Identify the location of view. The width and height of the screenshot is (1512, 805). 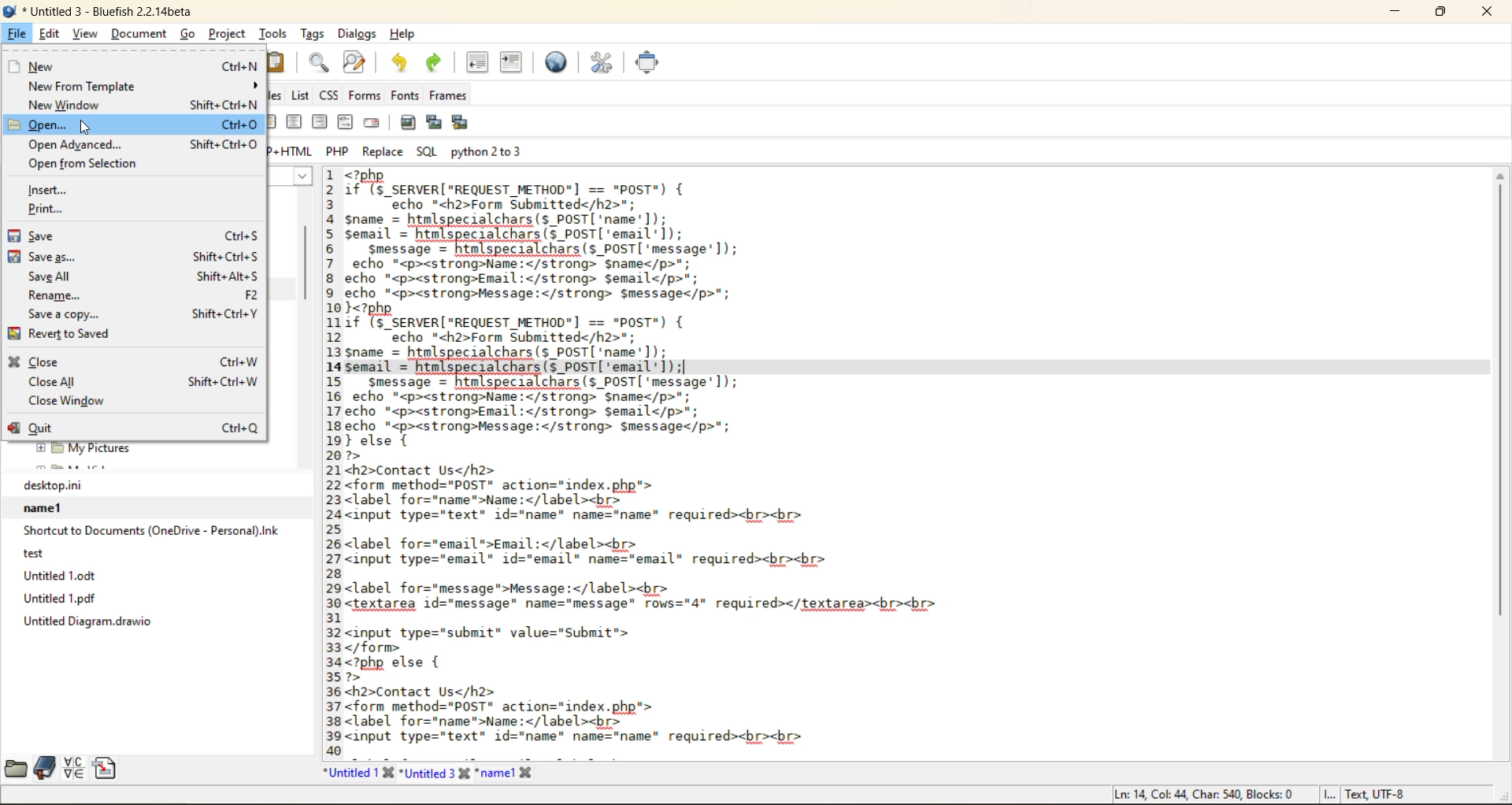
(86, 35).